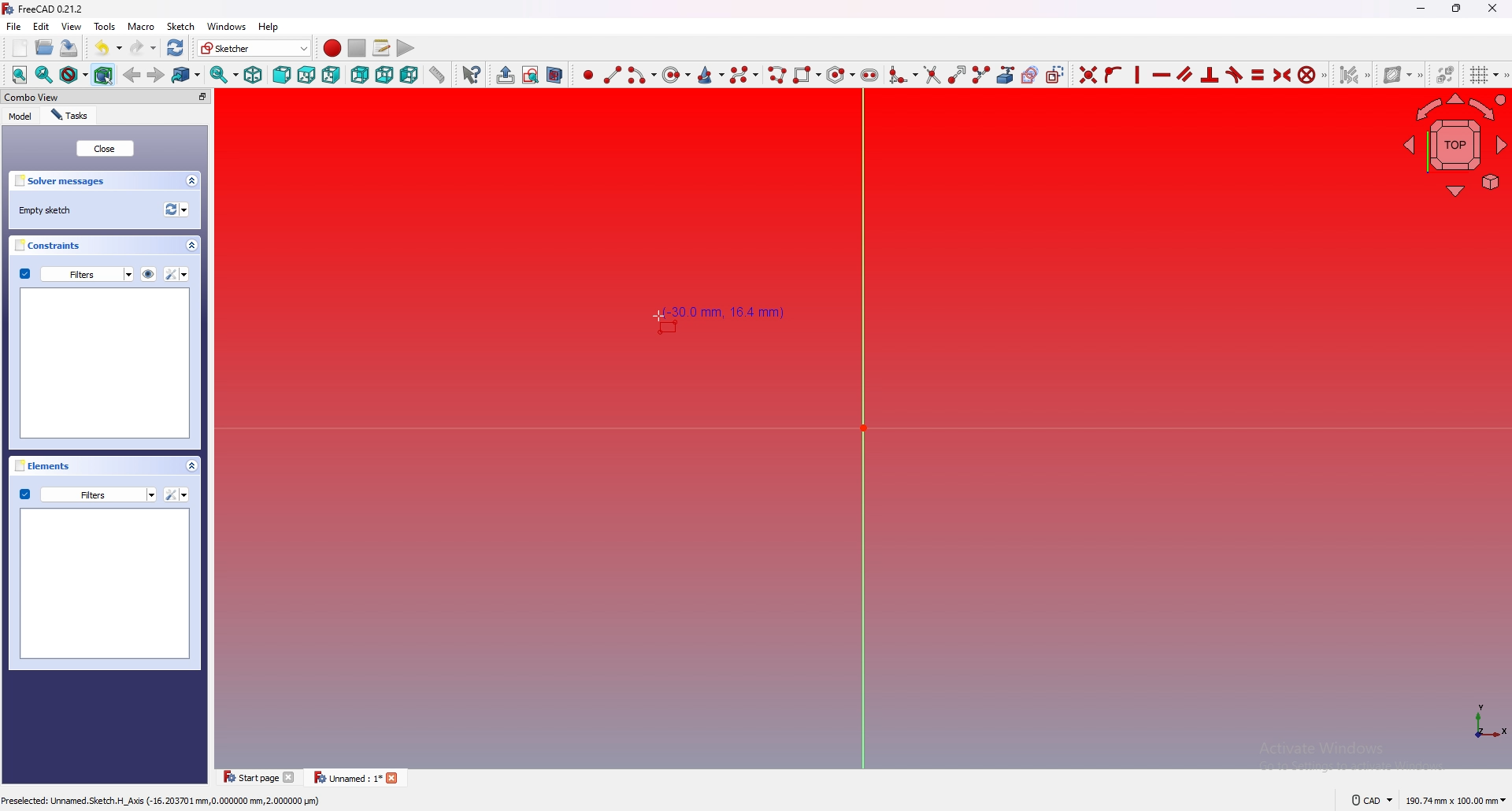 The width and height of the screenshot is (1512, 811). What do you see at coordinates (1162, 75) in the screenshot?
I see `constraint vertically` at bounding box center [1162, 75].